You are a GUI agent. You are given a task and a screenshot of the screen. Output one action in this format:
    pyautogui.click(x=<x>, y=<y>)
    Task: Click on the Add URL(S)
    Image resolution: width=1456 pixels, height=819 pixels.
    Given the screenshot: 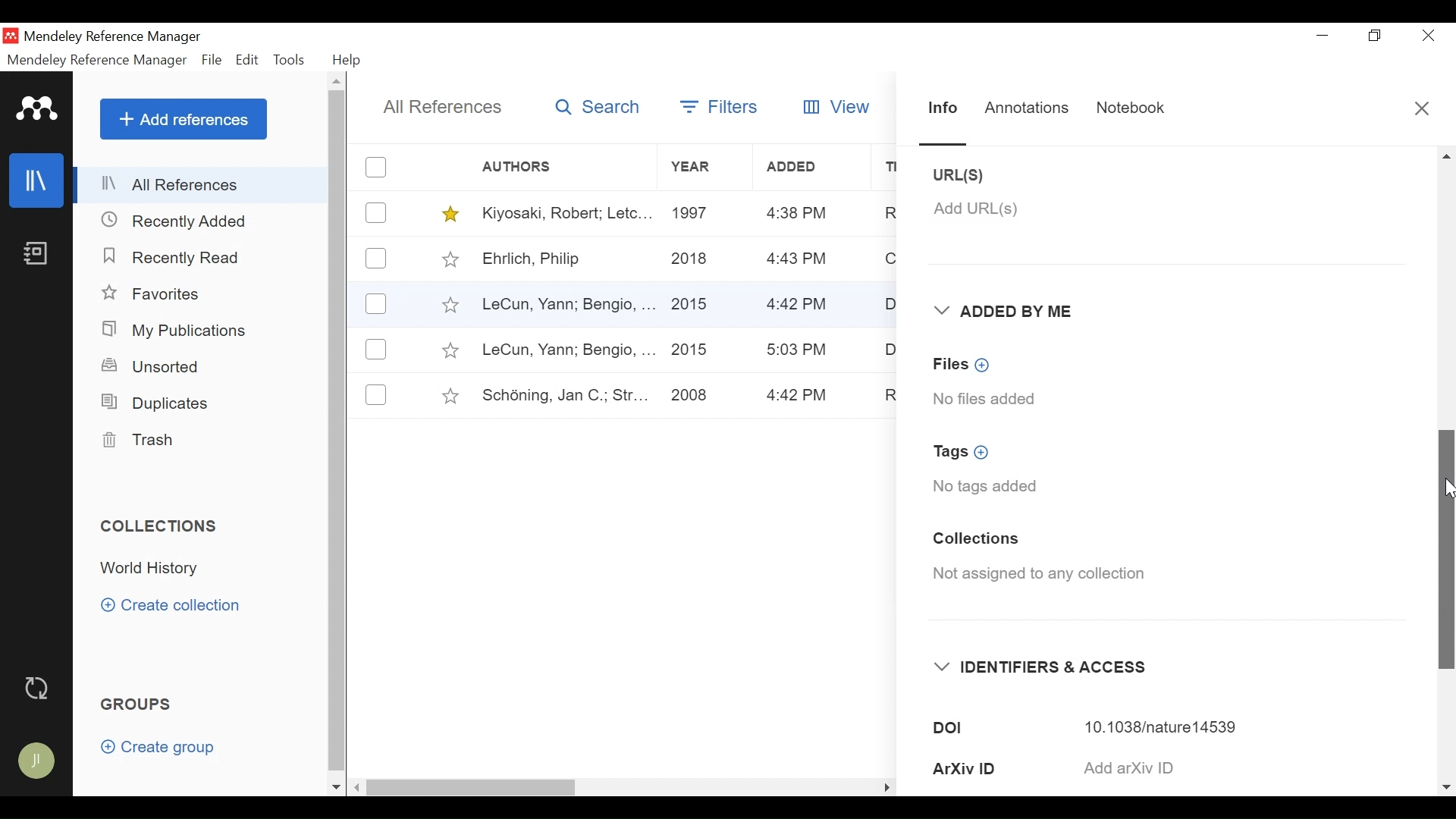 What is the action you would take?
    pyautogui.click(x=976, y=209)
    